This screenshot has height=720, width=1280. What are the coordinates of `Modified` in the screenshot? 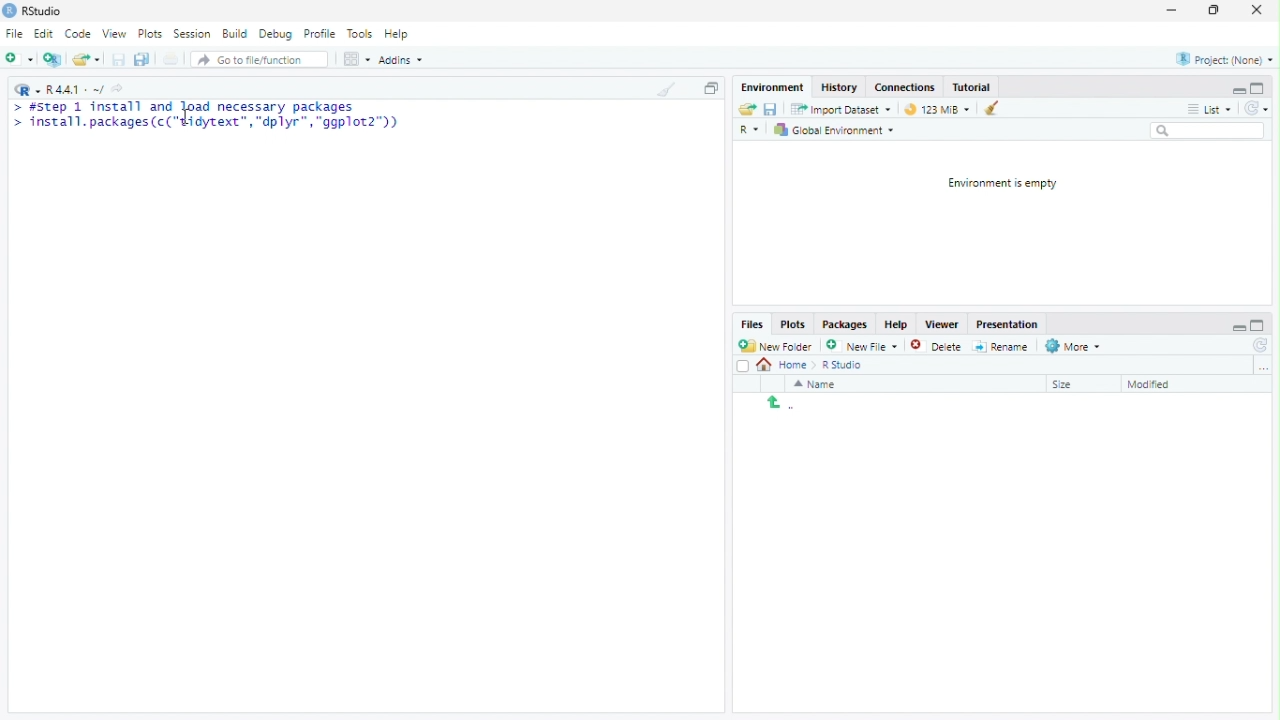 It's located at (1153, 385).